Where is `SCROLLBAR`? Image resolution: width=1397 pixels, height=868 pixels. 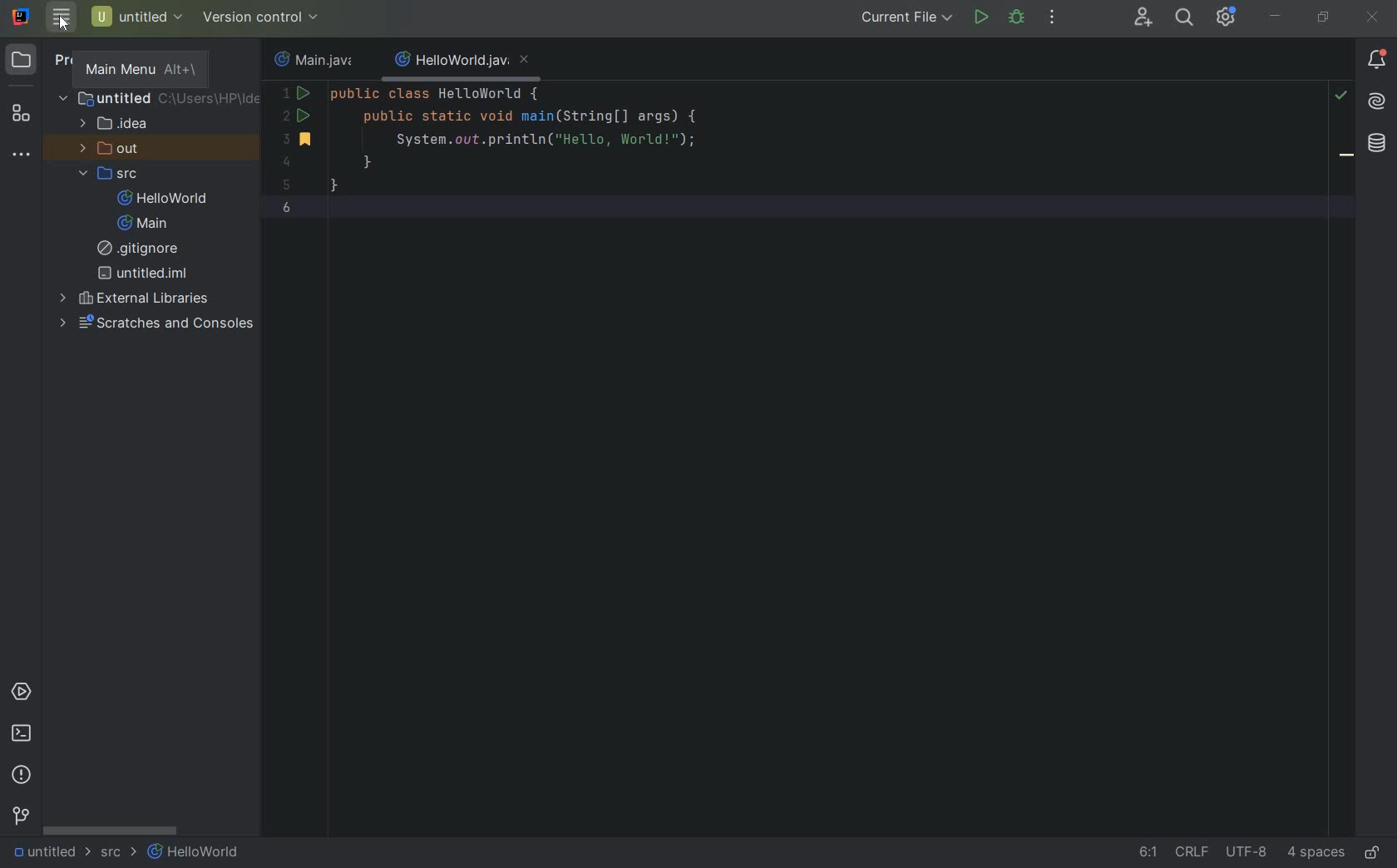 SCROLLBAR is located at coordinates (111, 830).